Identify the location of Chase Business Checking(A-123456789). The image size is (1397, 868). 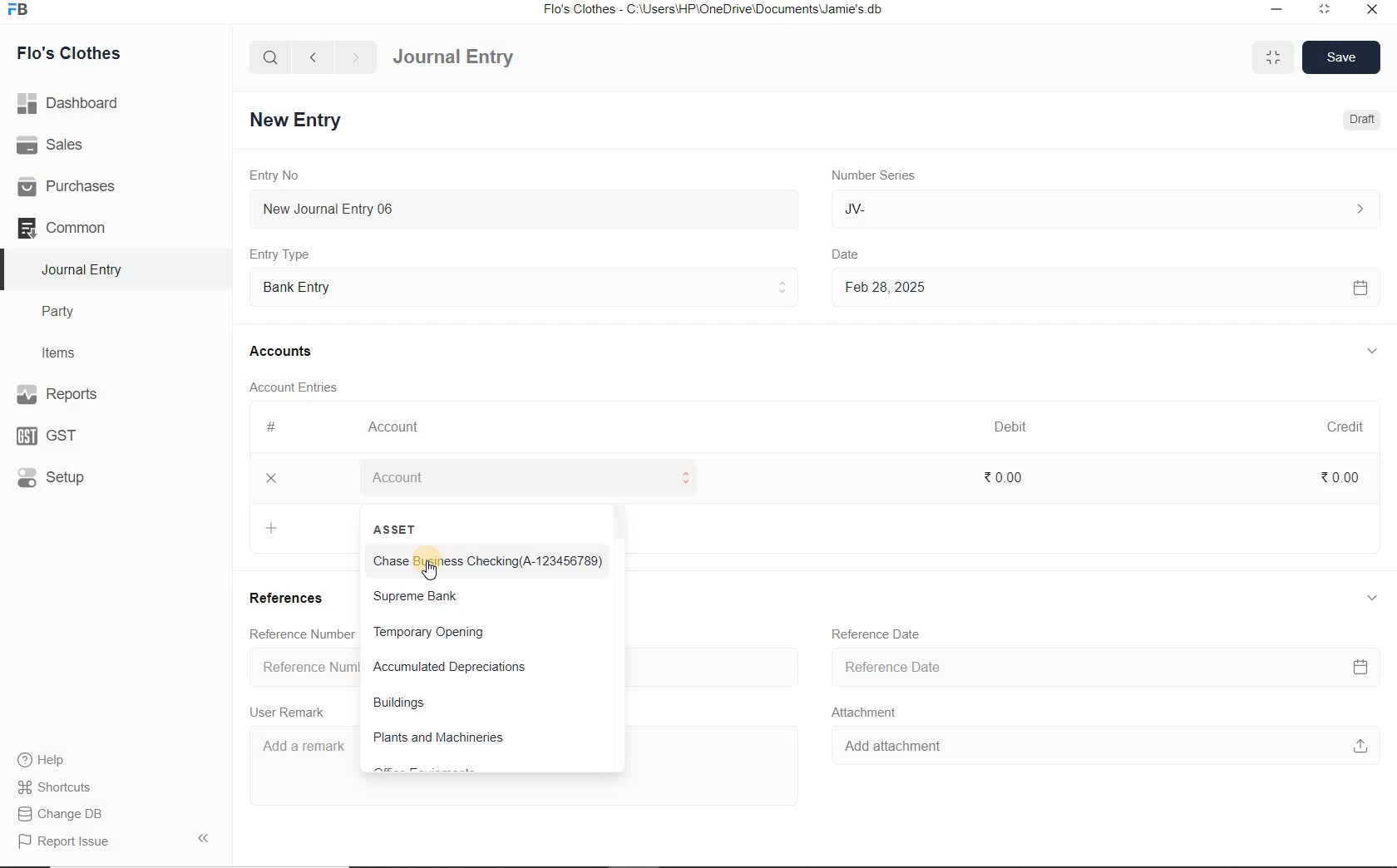
(487, 560).